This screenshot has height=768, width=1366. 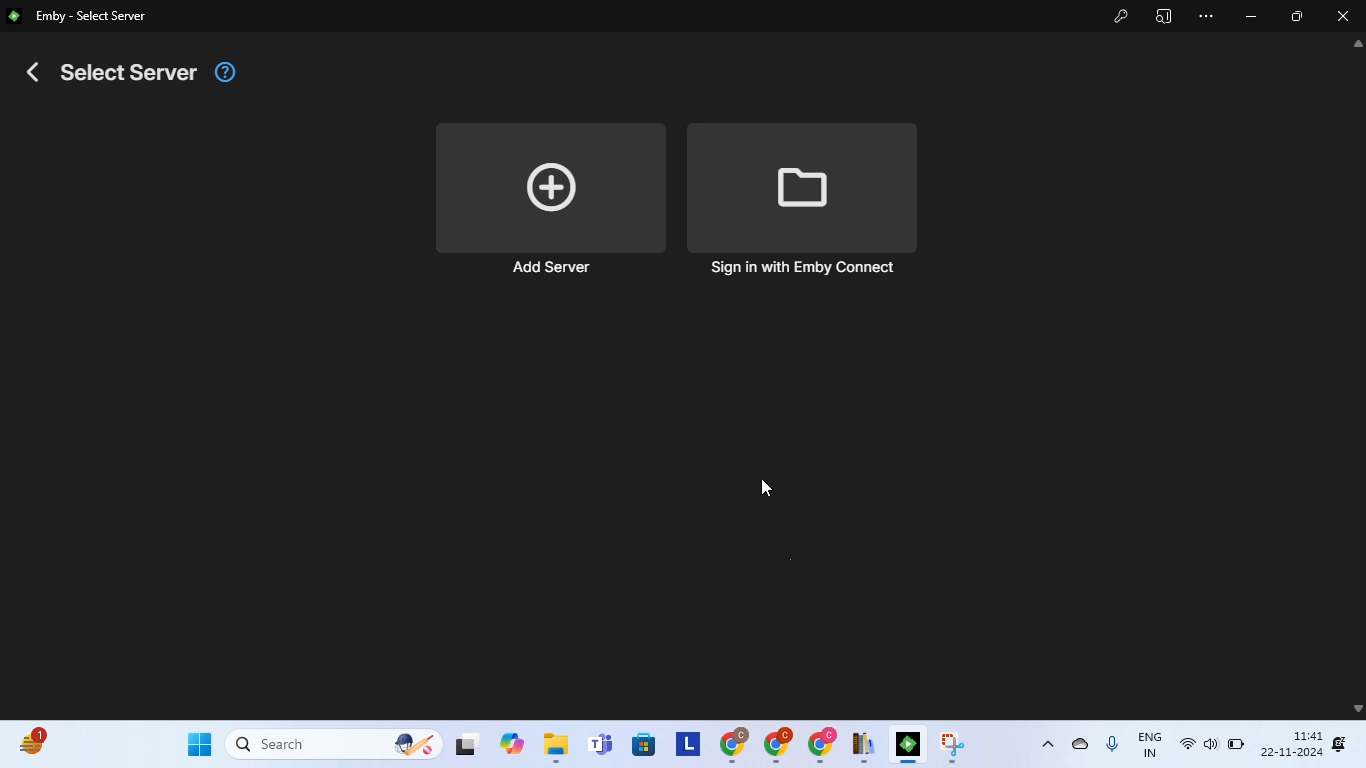 I want to click on microsoft, so click(x=646, y=746).